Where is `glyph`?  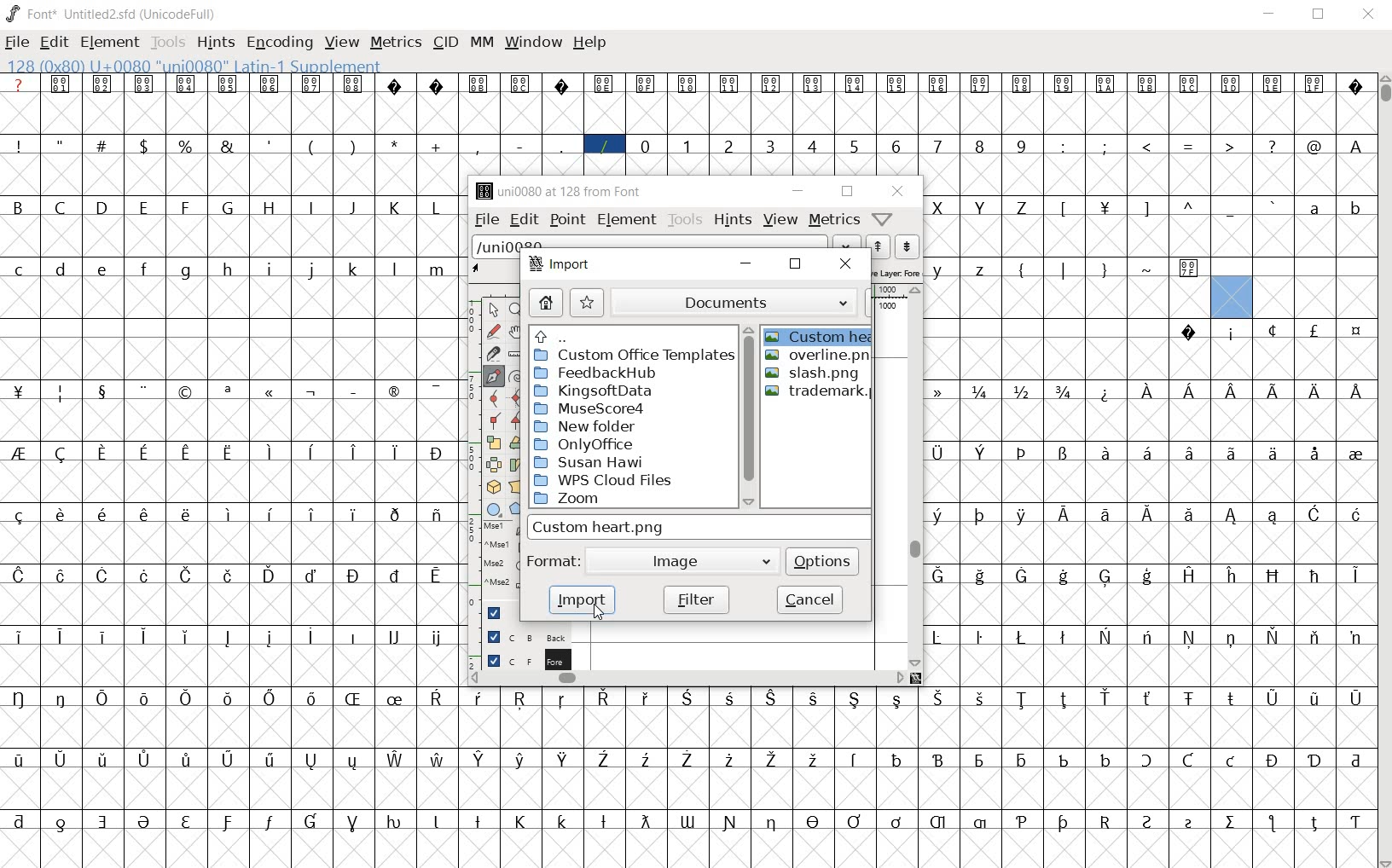
glyph is located at coordinates (101, 144).